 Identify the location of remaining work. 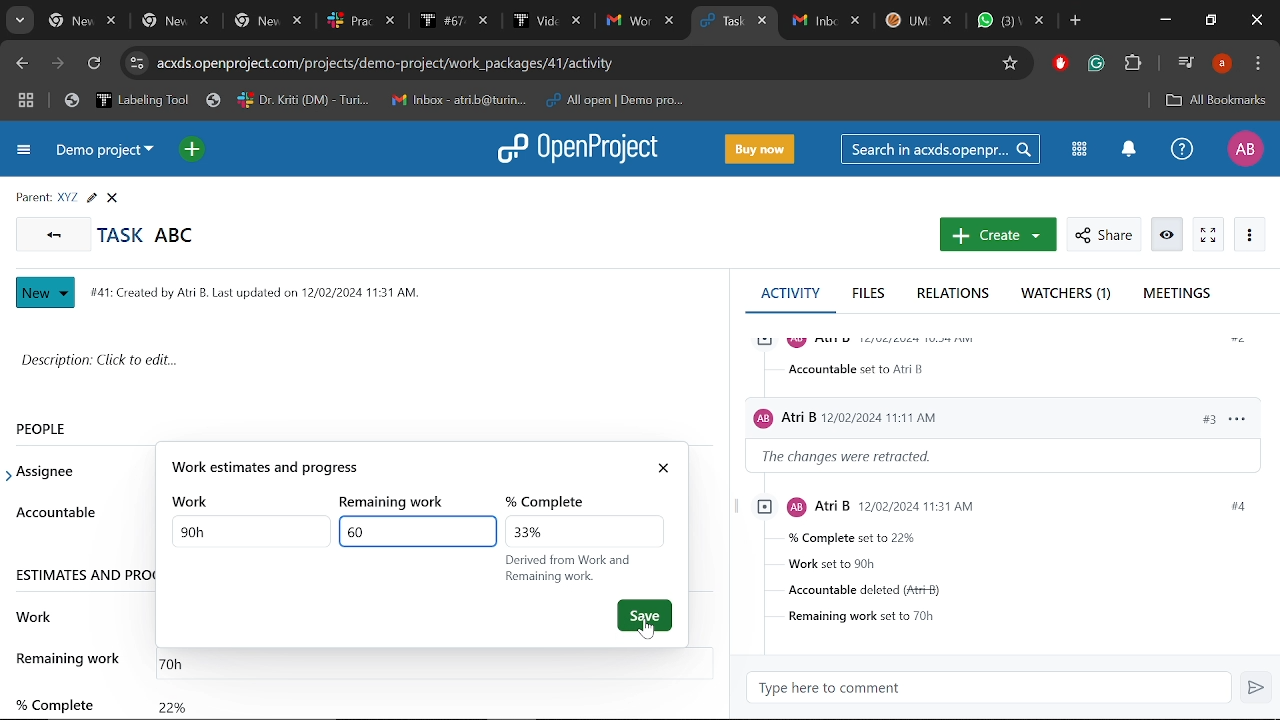
(399, 503).